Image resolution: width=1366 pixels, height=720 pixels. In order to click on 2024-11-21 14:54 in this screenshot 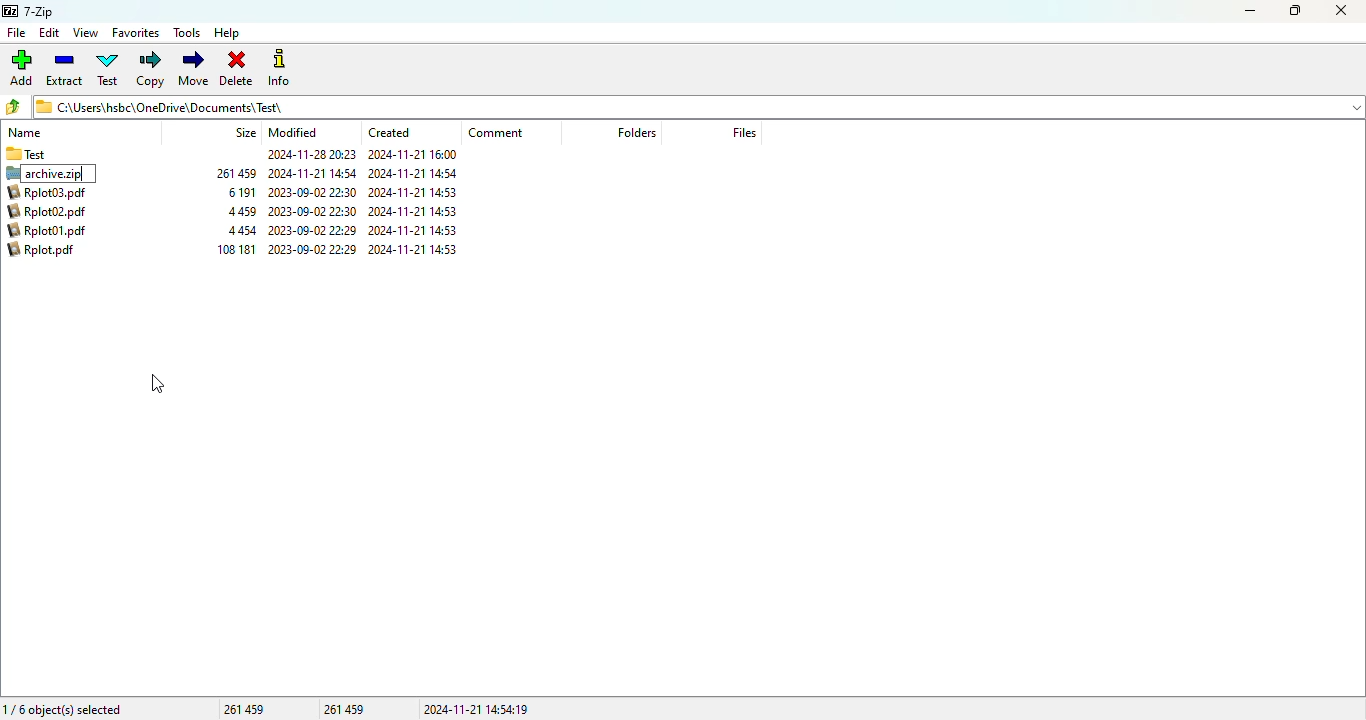, I will do `click(416, 172)`.